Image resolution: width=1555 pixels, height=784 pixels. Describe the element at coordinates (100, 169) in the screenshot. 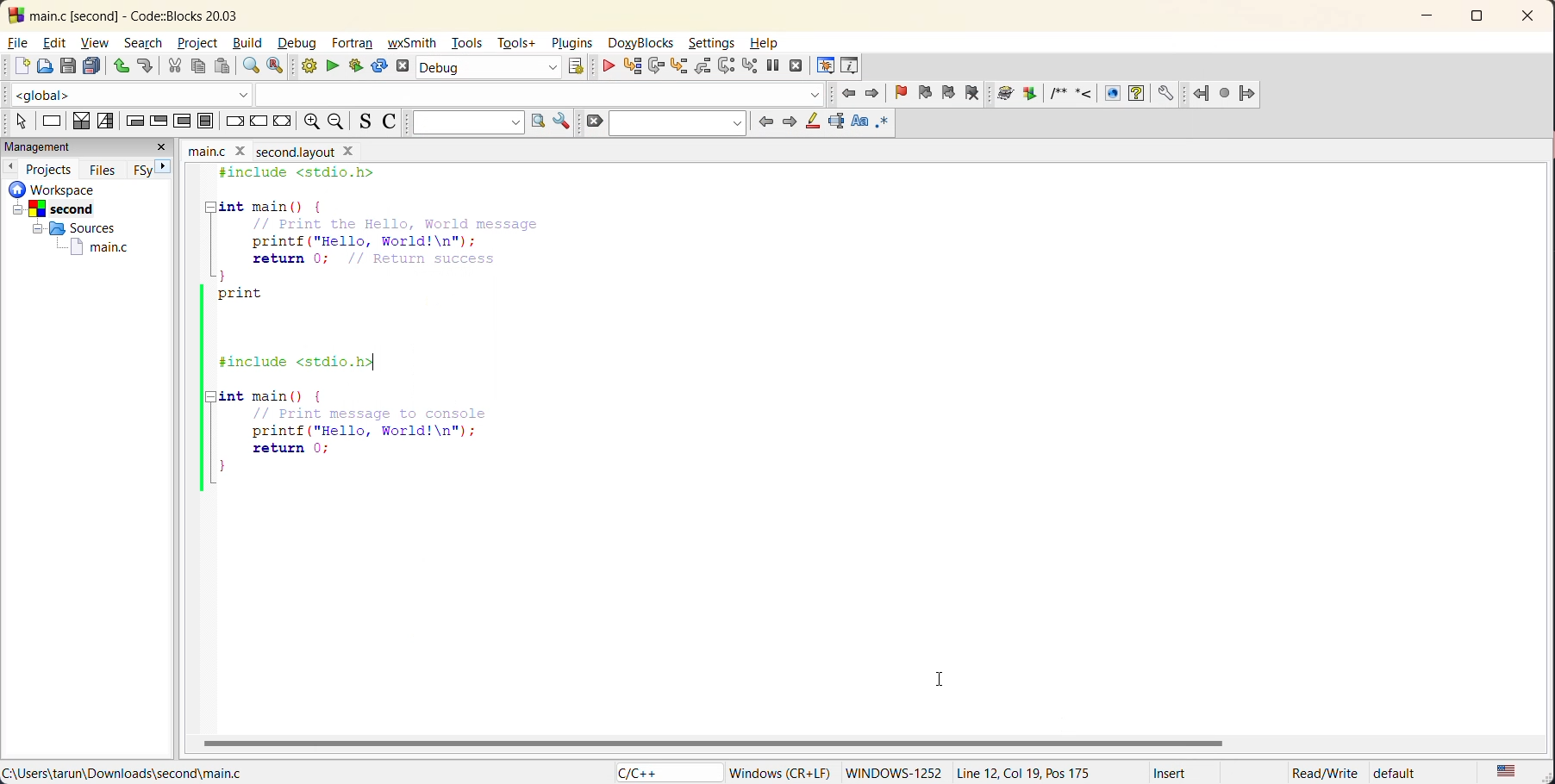

I see `files` at that location.